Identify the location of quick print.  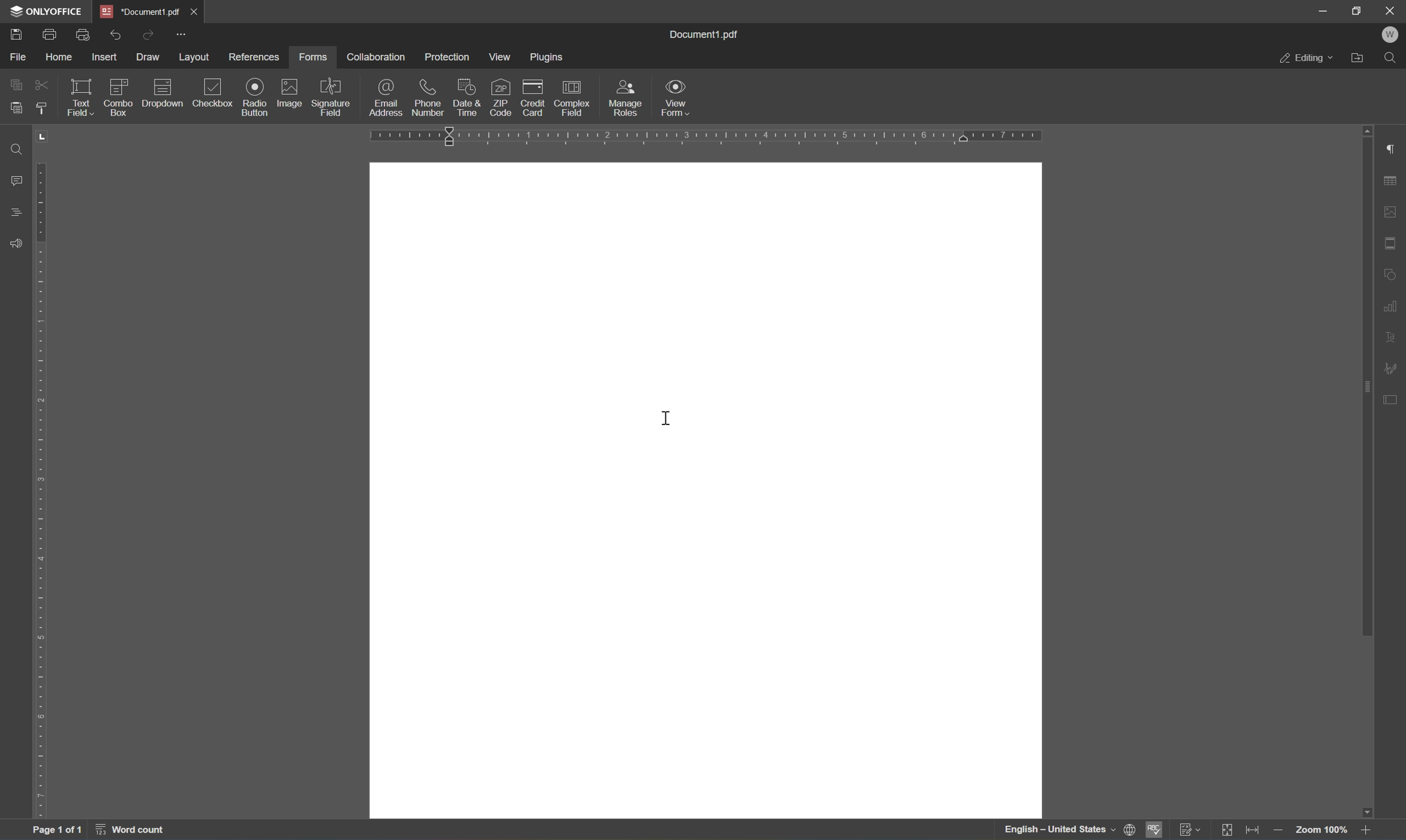
(82, 35).